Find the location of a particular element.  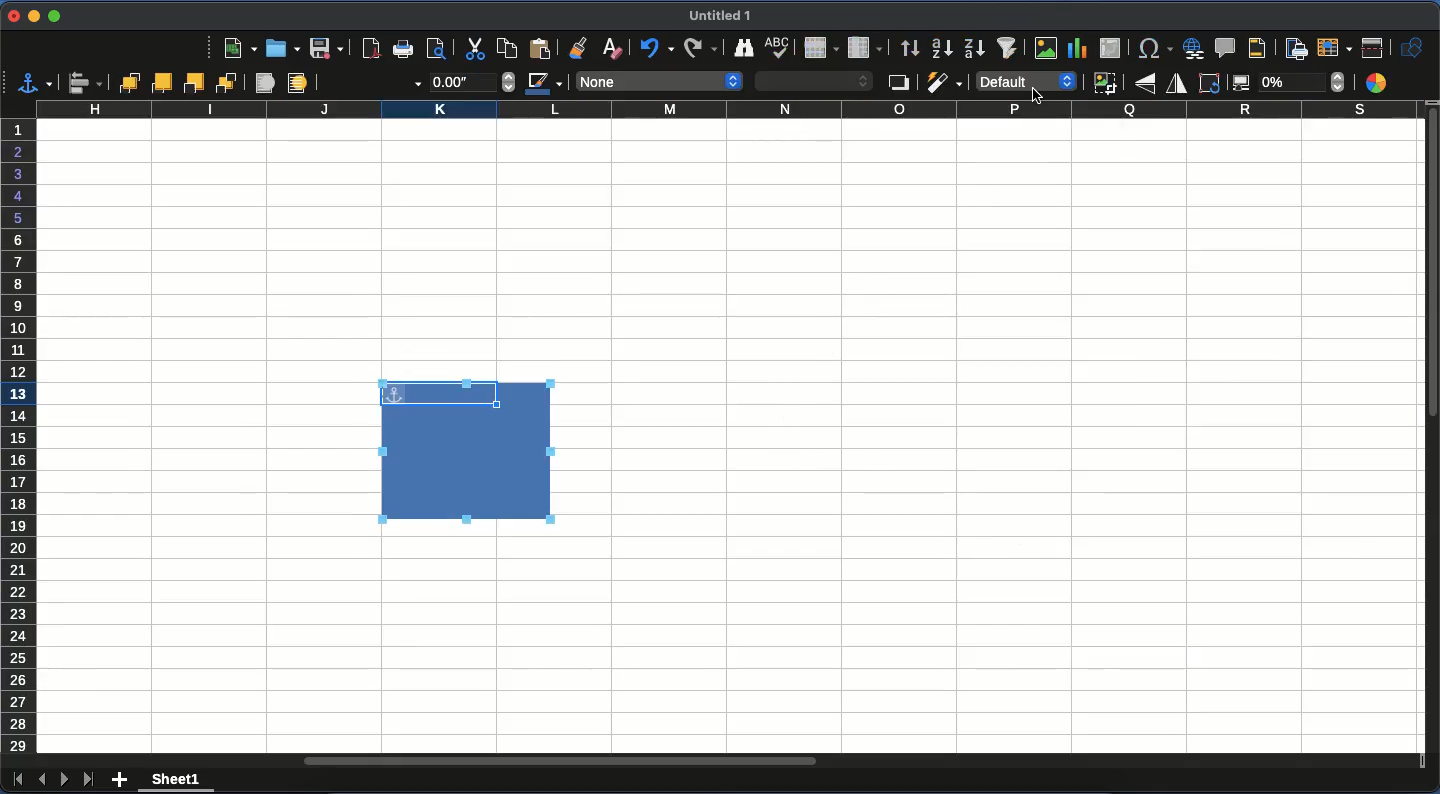

ascending is located at coordinates (940, 48).